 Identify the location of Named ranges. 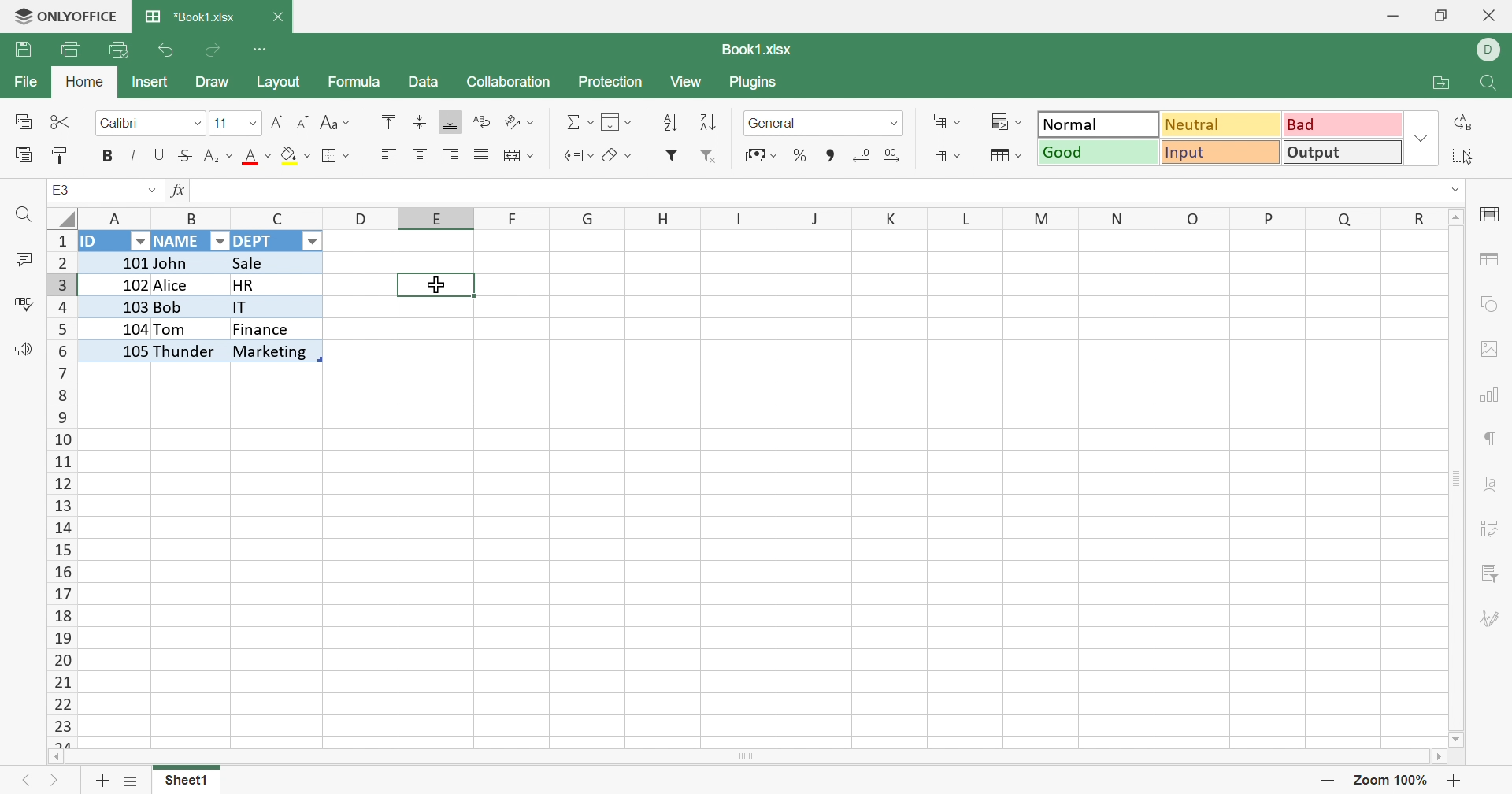
(576, 156).